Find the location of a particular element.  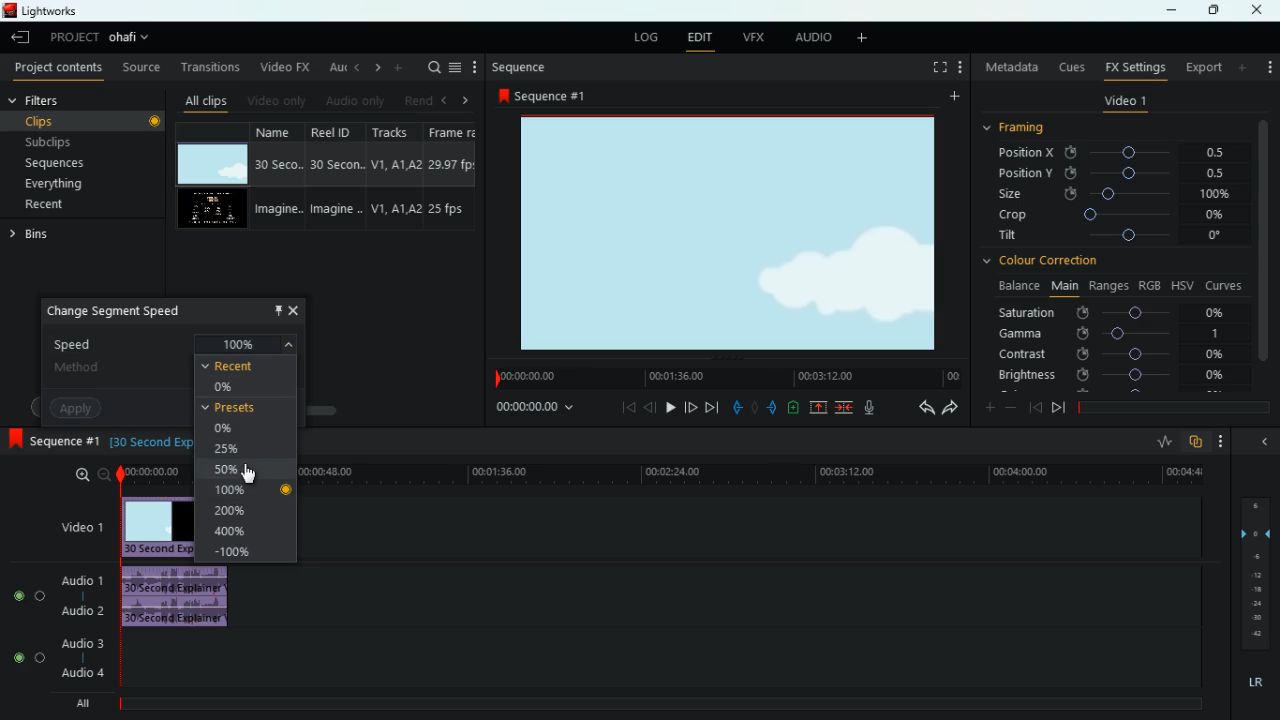

screen is located at coordinates (935, 67).